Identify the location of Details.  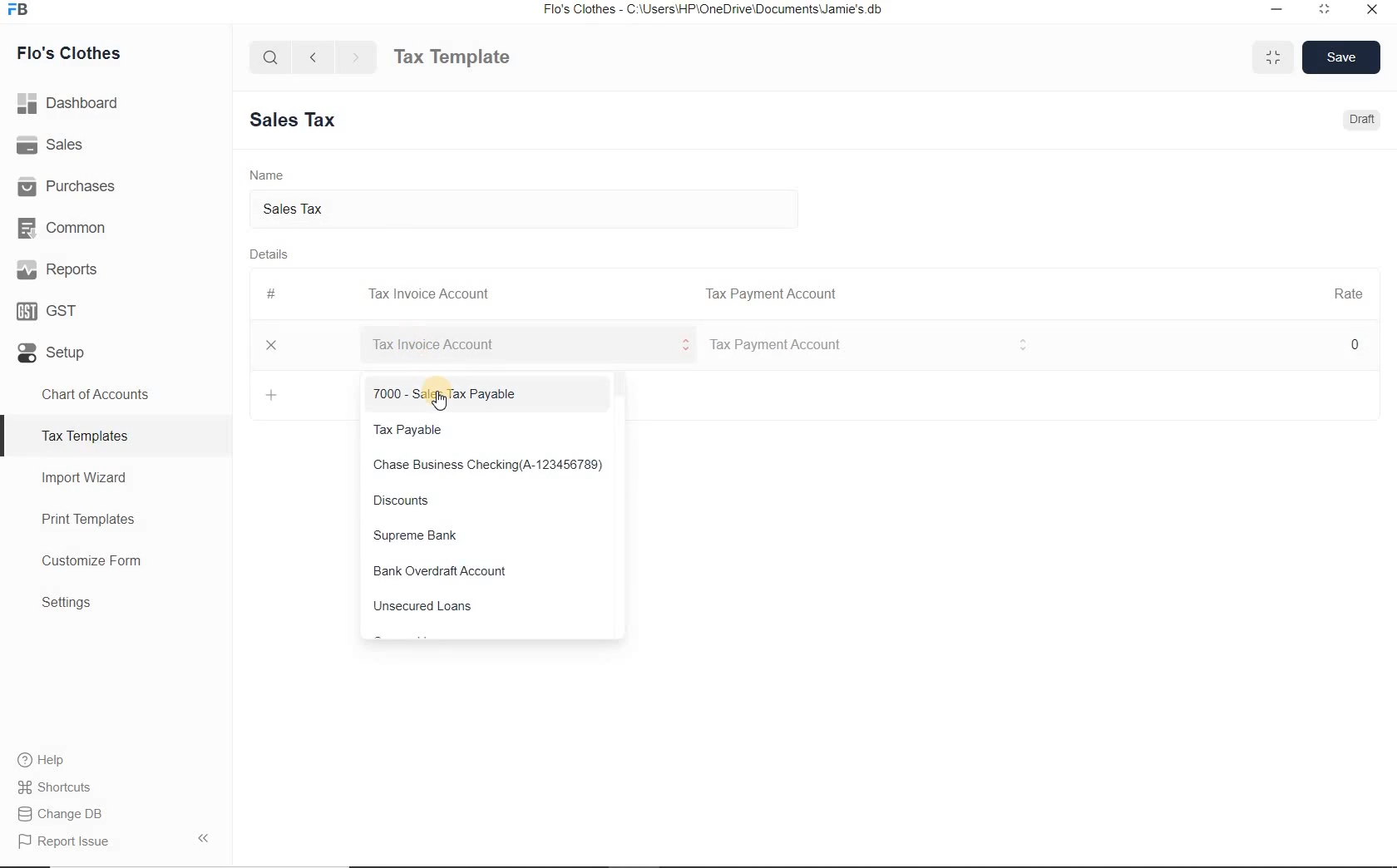
(268, 253).